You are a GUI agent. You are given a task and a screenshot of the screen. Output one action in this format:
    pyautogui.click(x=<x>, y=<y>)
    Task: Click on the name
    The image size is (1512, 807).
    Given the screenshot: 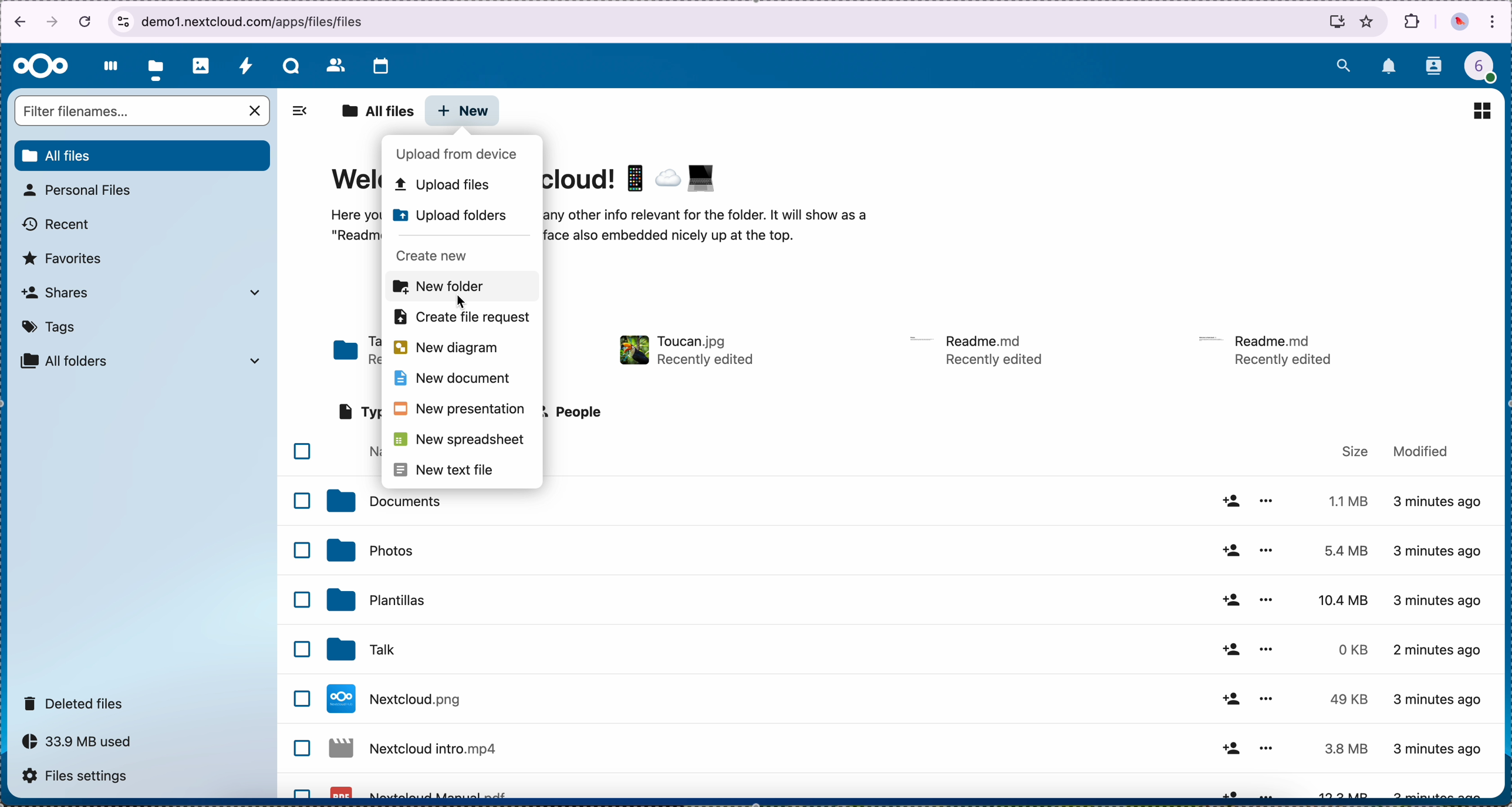 What is the action you would take?
    pyautogui.click(x=372, y=453)
    